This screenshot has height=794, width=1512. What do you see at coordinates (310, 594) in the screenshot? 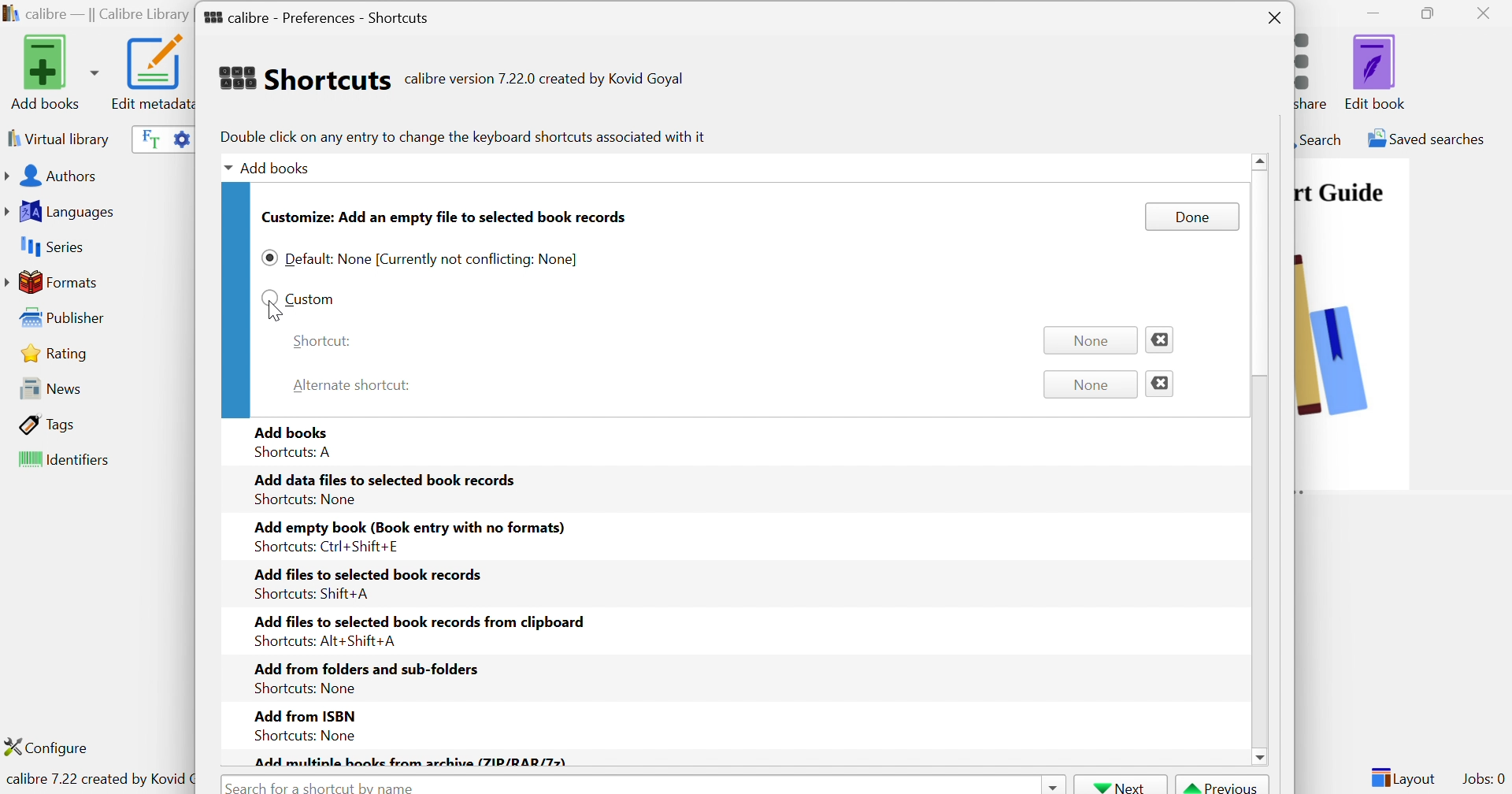
I see `Shortcuts: Shift+A` at bounding box center [310, 594].